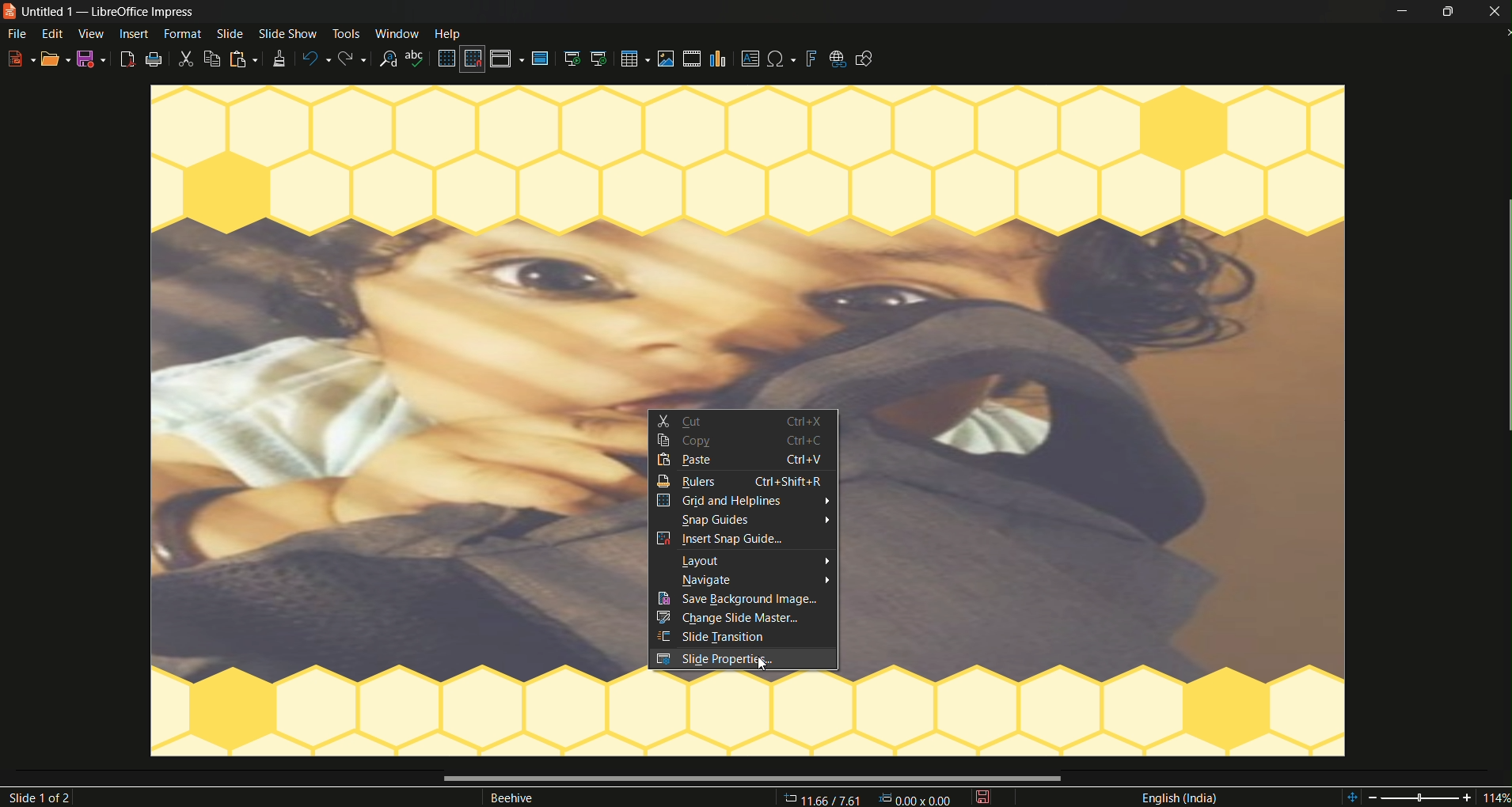  What do you see at coordinates (690, 481) in the screenshot?
I see `rulers` at bounding box center [690, 481].